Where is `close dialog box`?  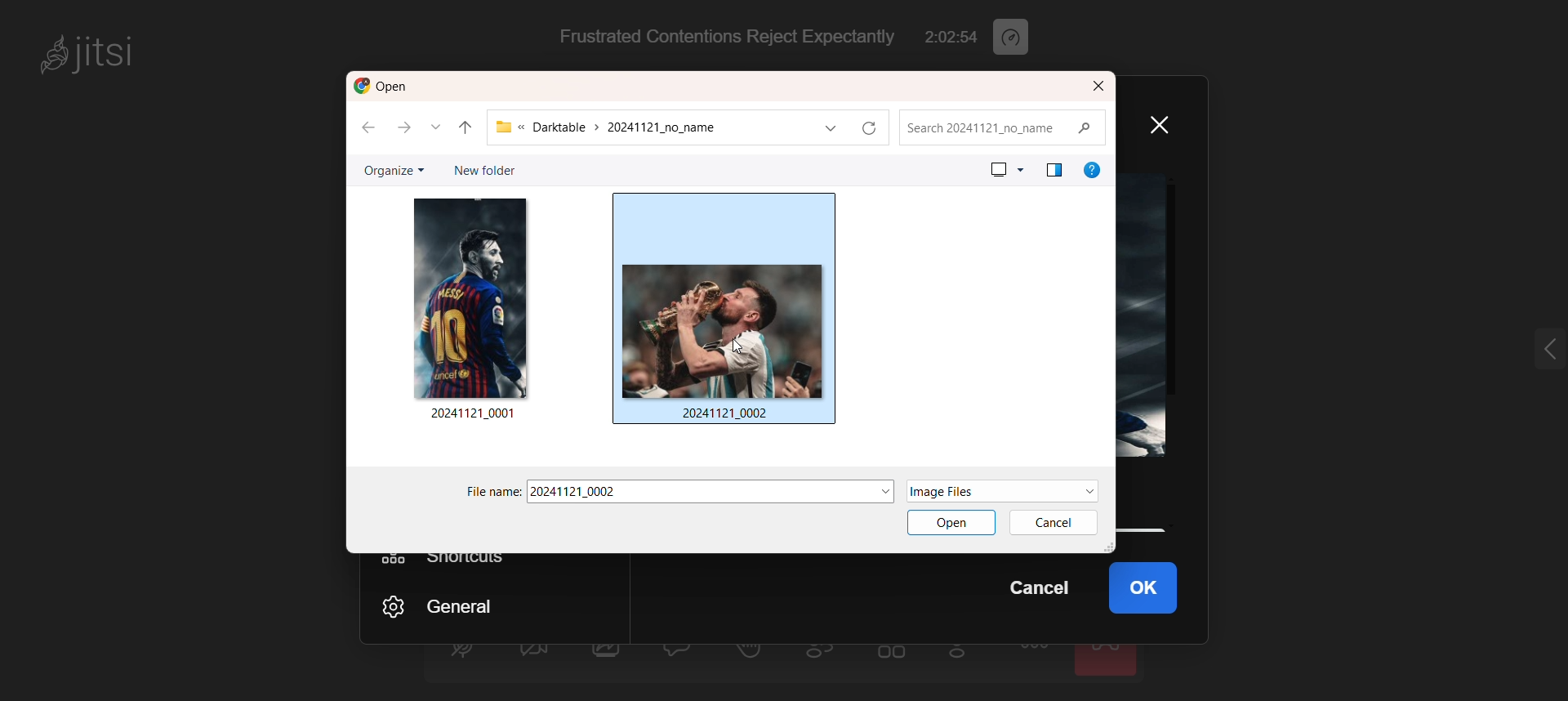
close dialog box is located at coordinates (1098, 87).